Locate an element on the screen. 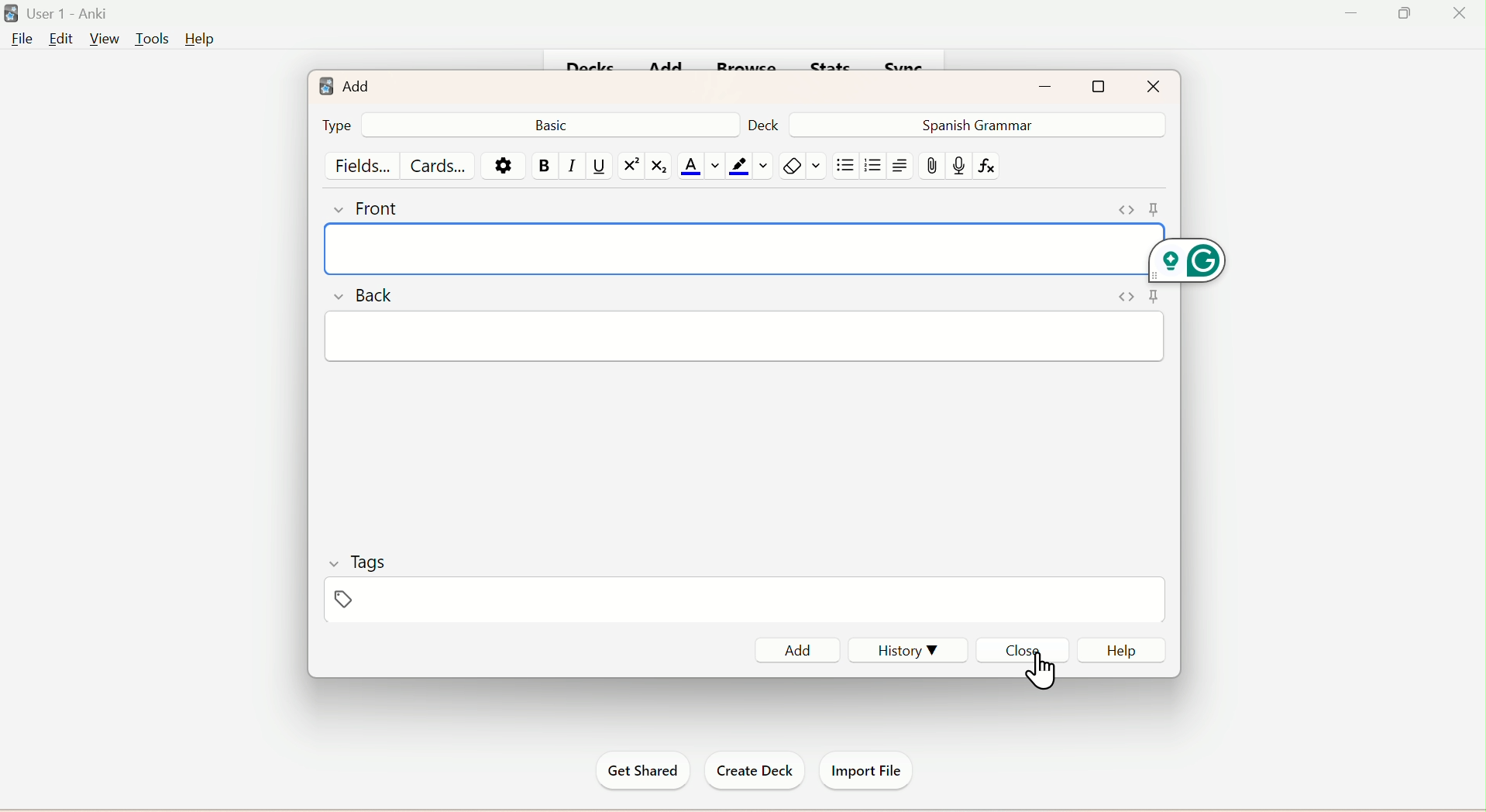  Basic is located at coordinates (555, 124).